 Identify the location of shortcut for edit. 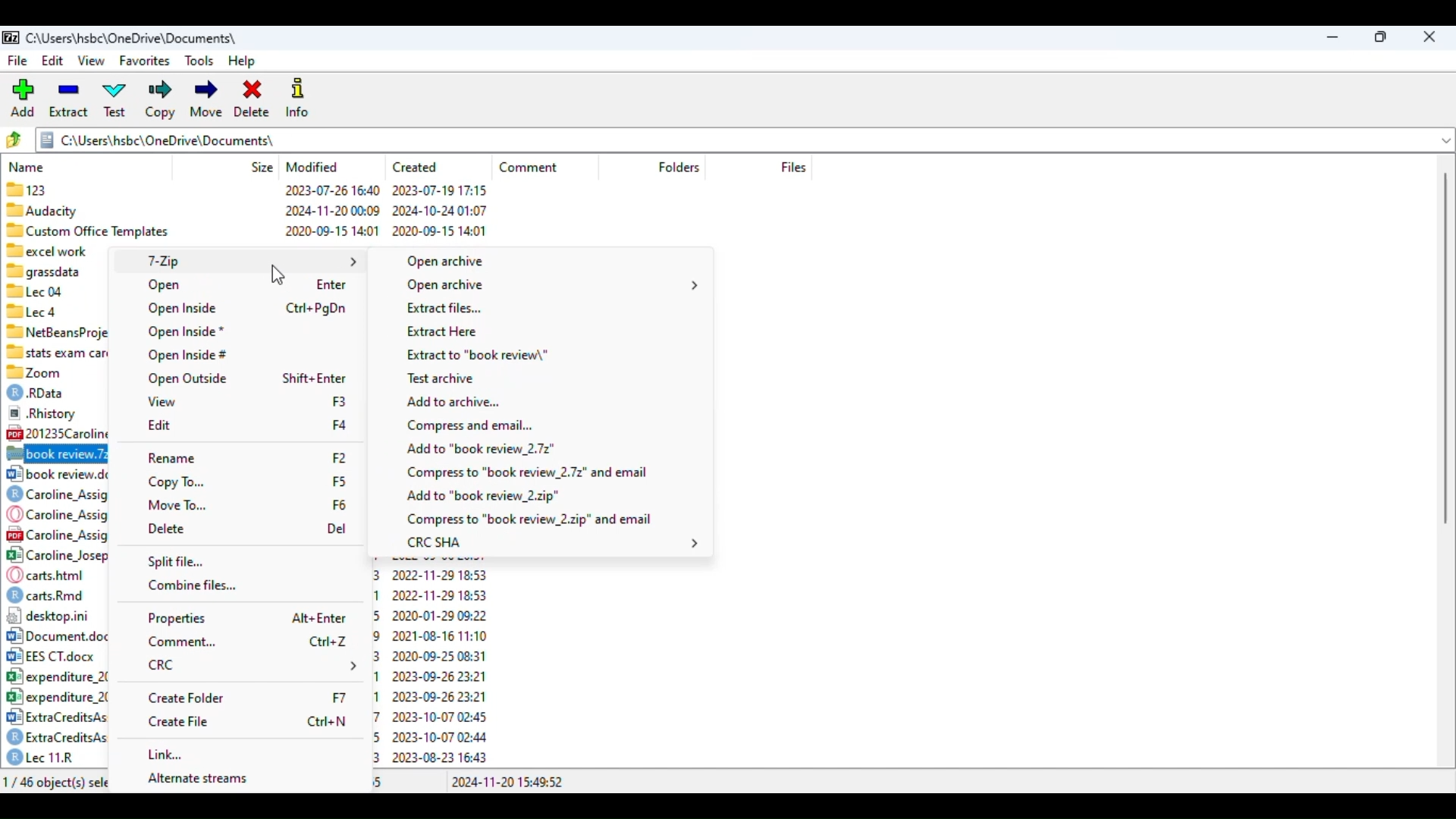
(338, 425).